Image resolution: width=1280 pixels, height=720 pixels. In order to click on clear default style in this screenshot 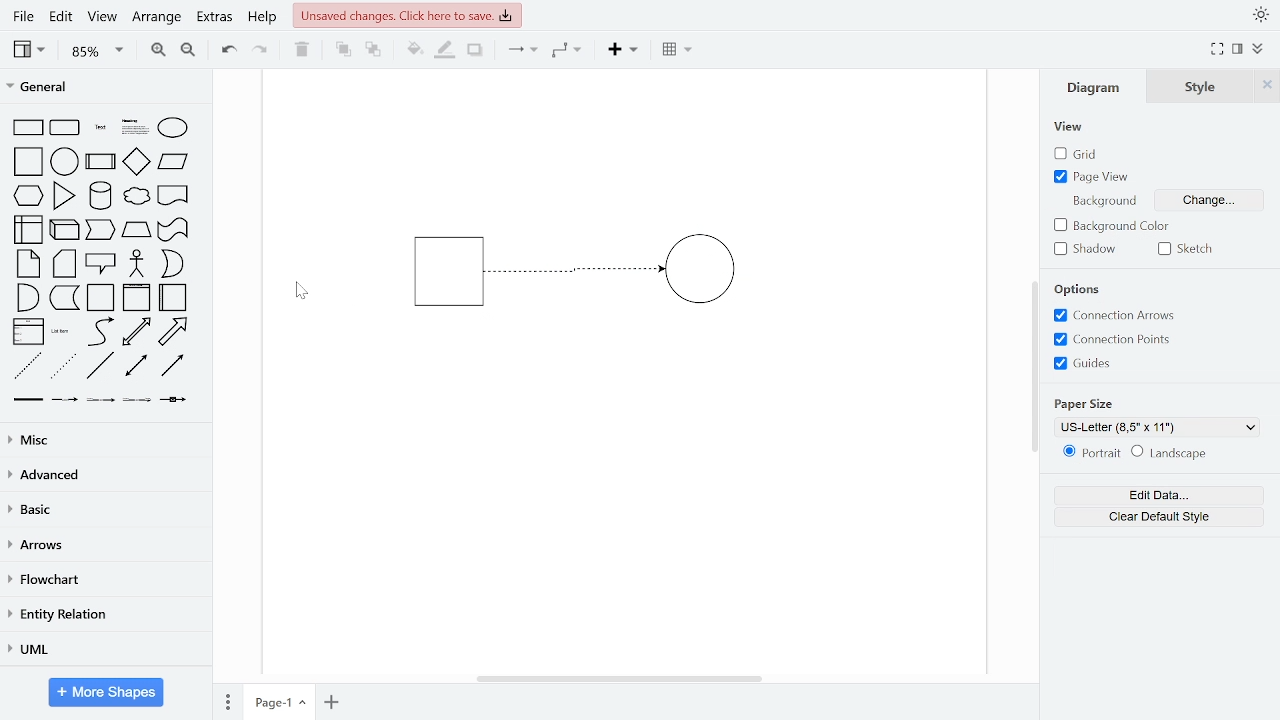, I will do `click(1159, 517)`.